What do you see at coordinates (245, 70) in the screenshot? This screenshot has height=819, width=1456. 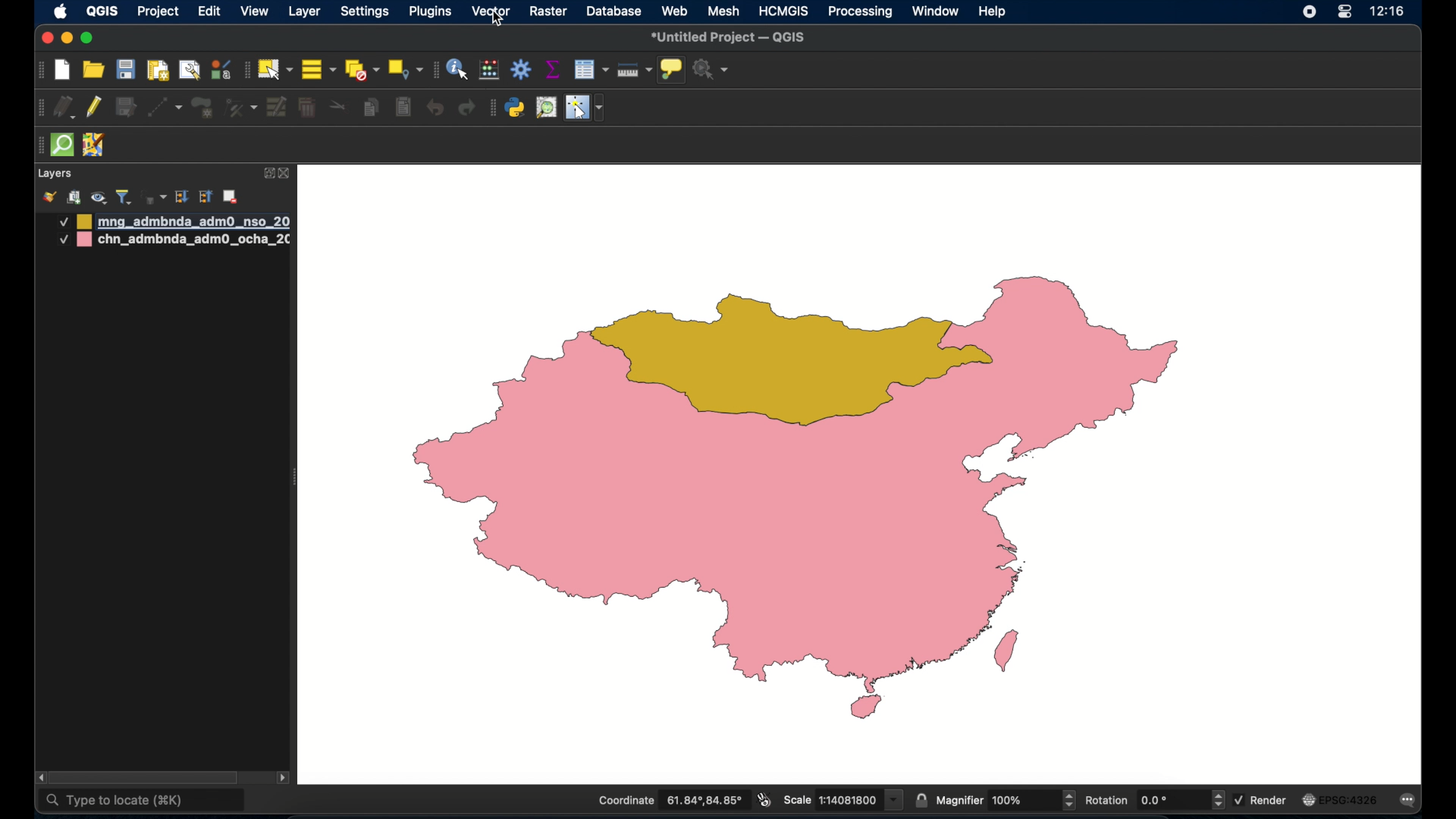 I see `selection toolbar` at bounding box center [245, 70].